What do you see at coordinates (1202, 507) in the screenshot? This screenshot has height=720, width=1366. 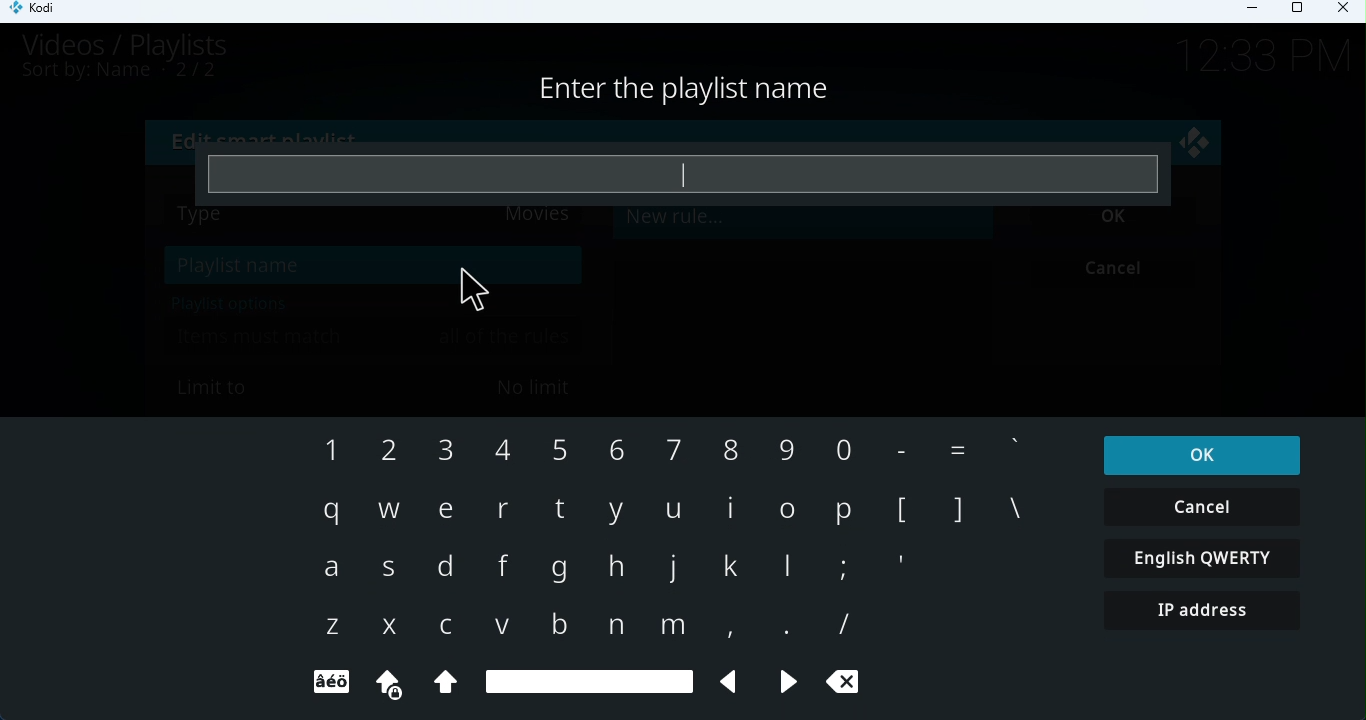 I see `Cancel` at bounding box center [1202, 507].